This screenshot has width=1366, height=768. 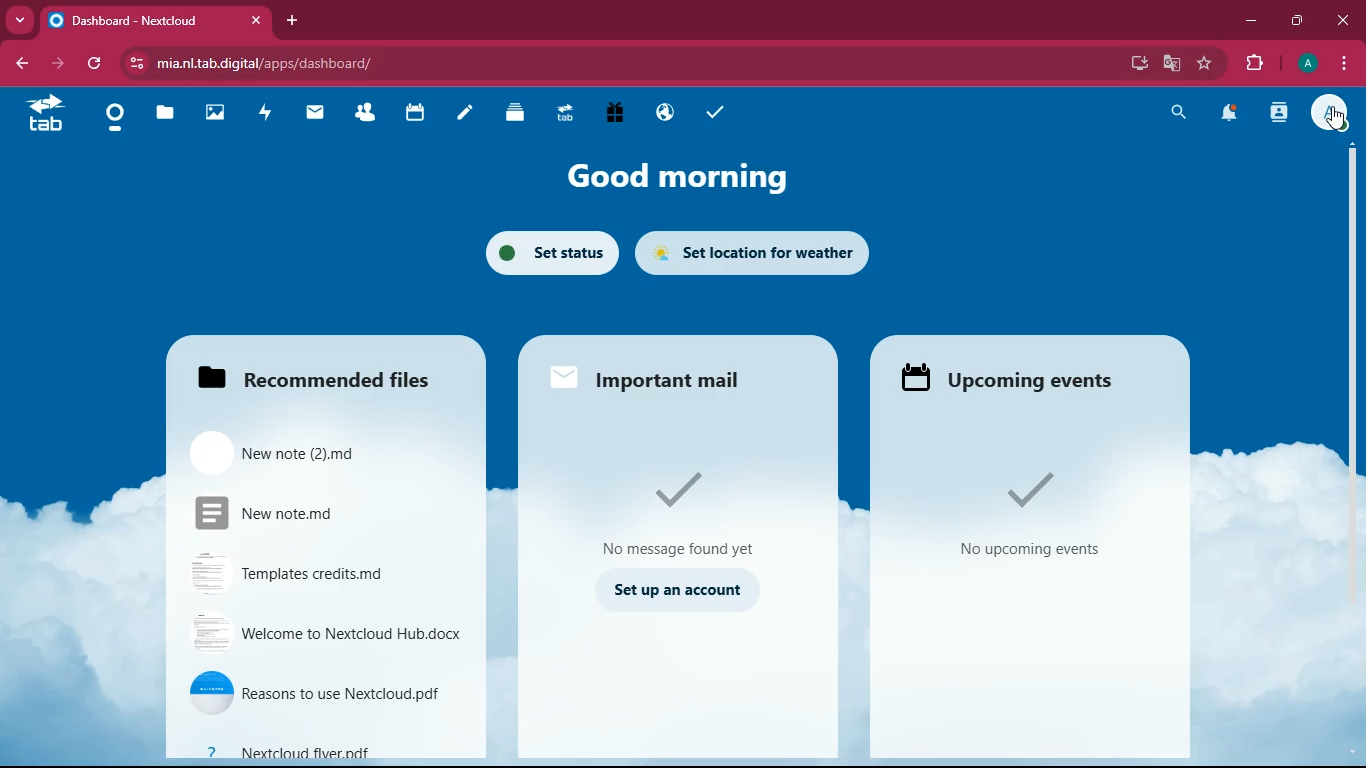 What do you see at coordinates (651, 376) in the screenshot?
I see `mail` at bounding box center [651, 376].